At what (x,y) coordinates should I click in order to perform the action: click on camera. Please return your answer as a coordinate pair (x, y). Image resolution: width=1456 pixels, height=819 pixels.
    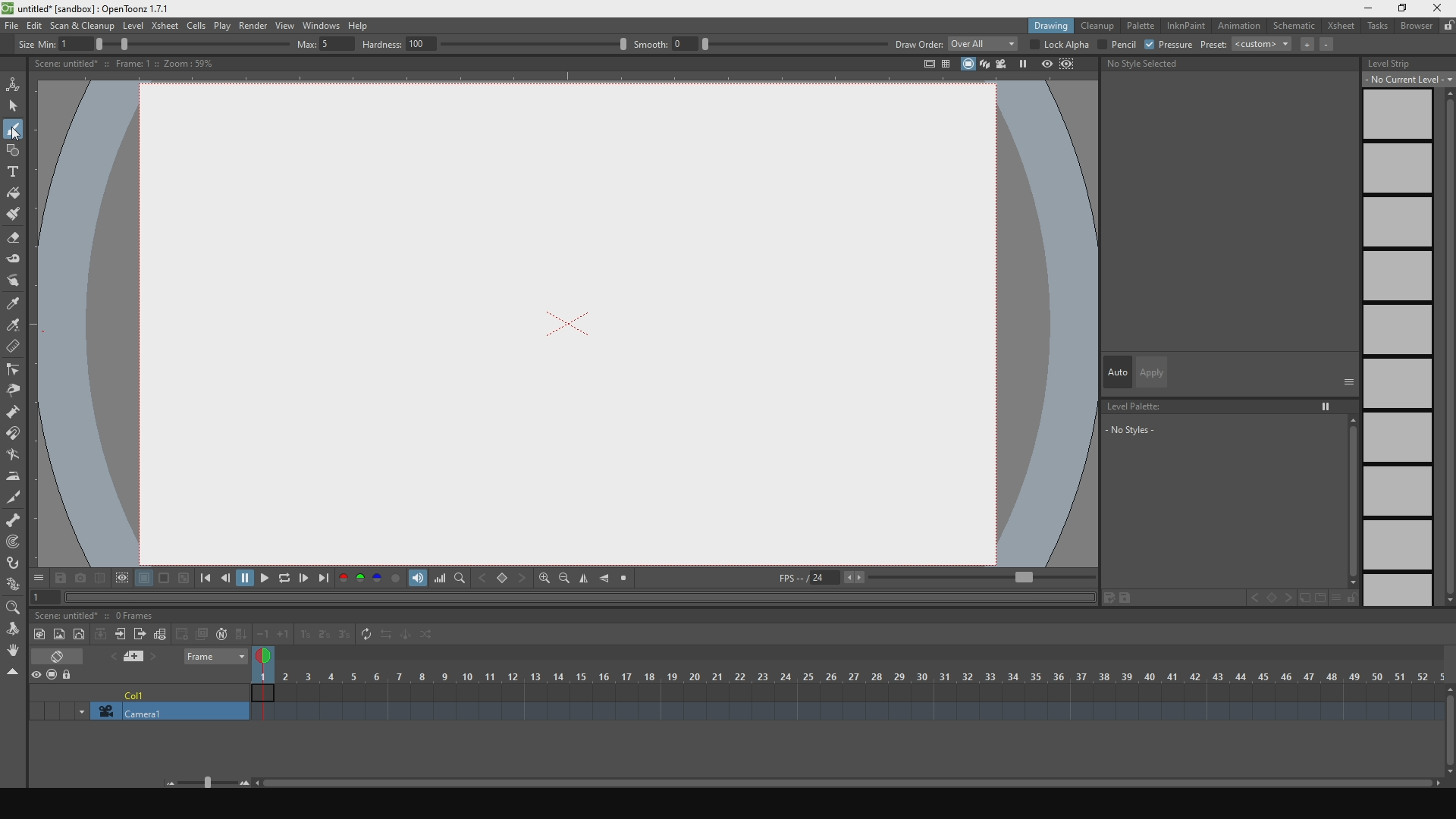
    Looking at the image, I should click on (1003, 64).